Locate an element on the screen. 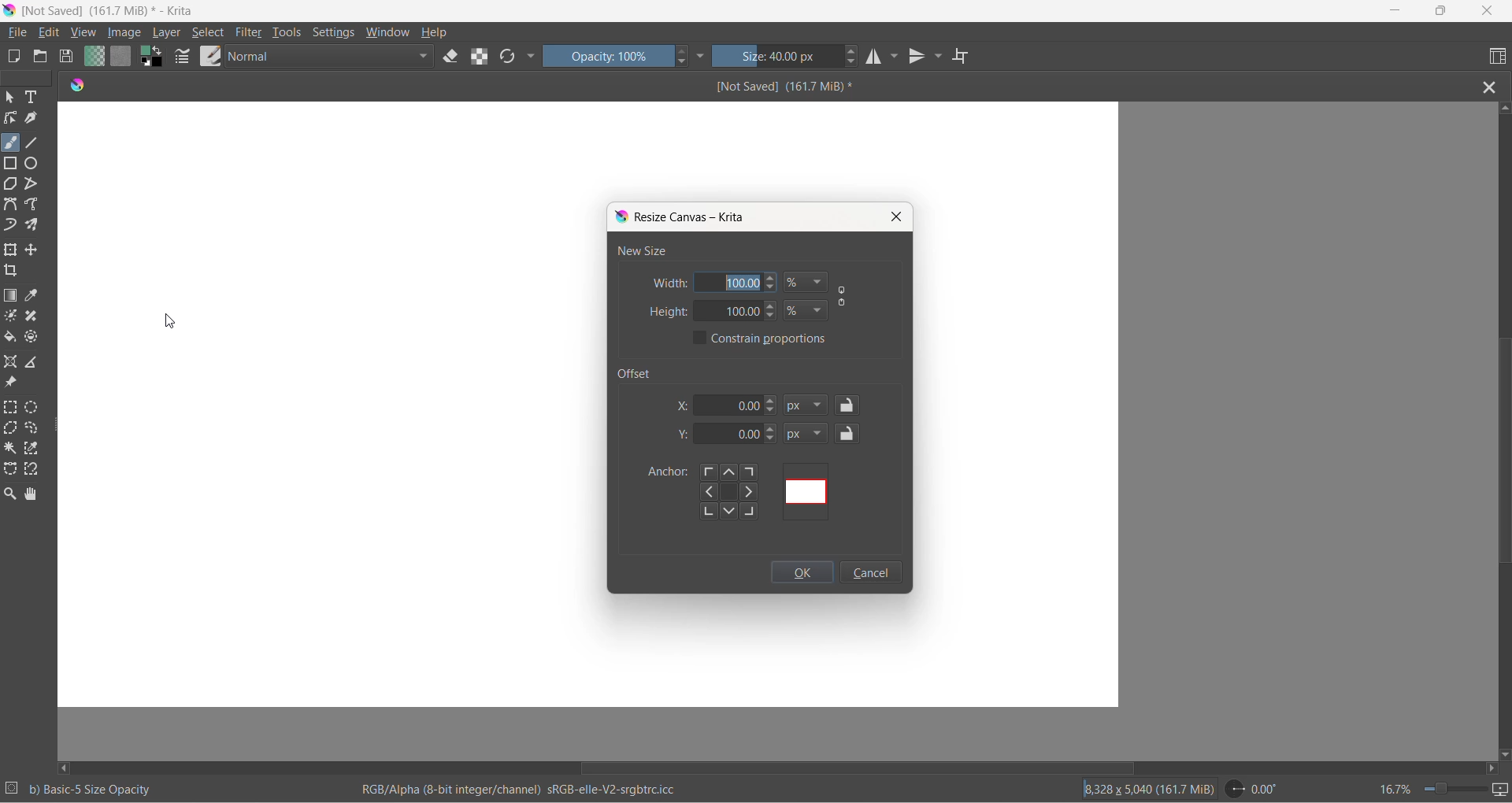  increment size is located at coordinates (853, 50).